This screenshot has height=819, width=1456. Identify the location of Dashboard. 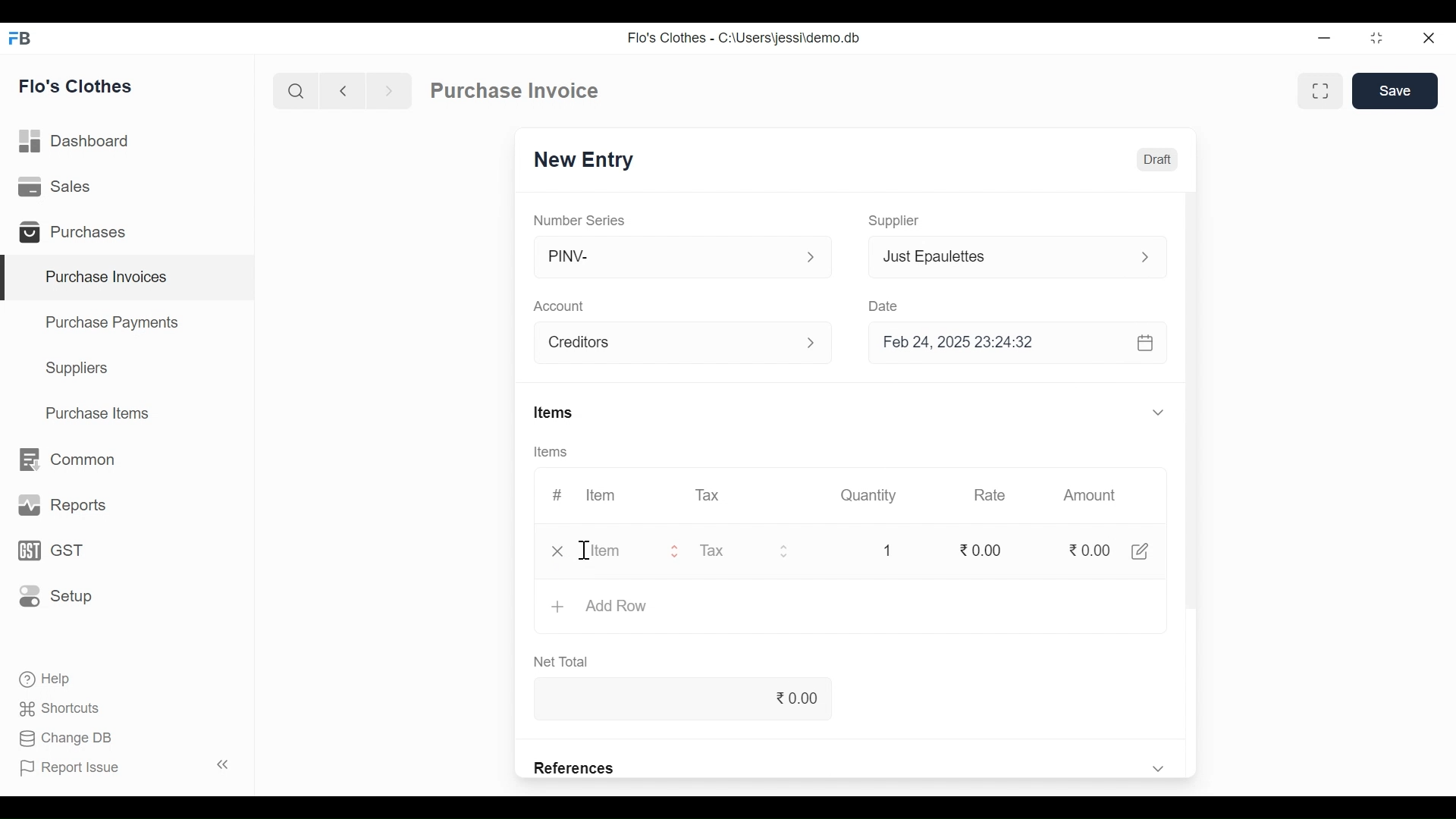
(82, 142).